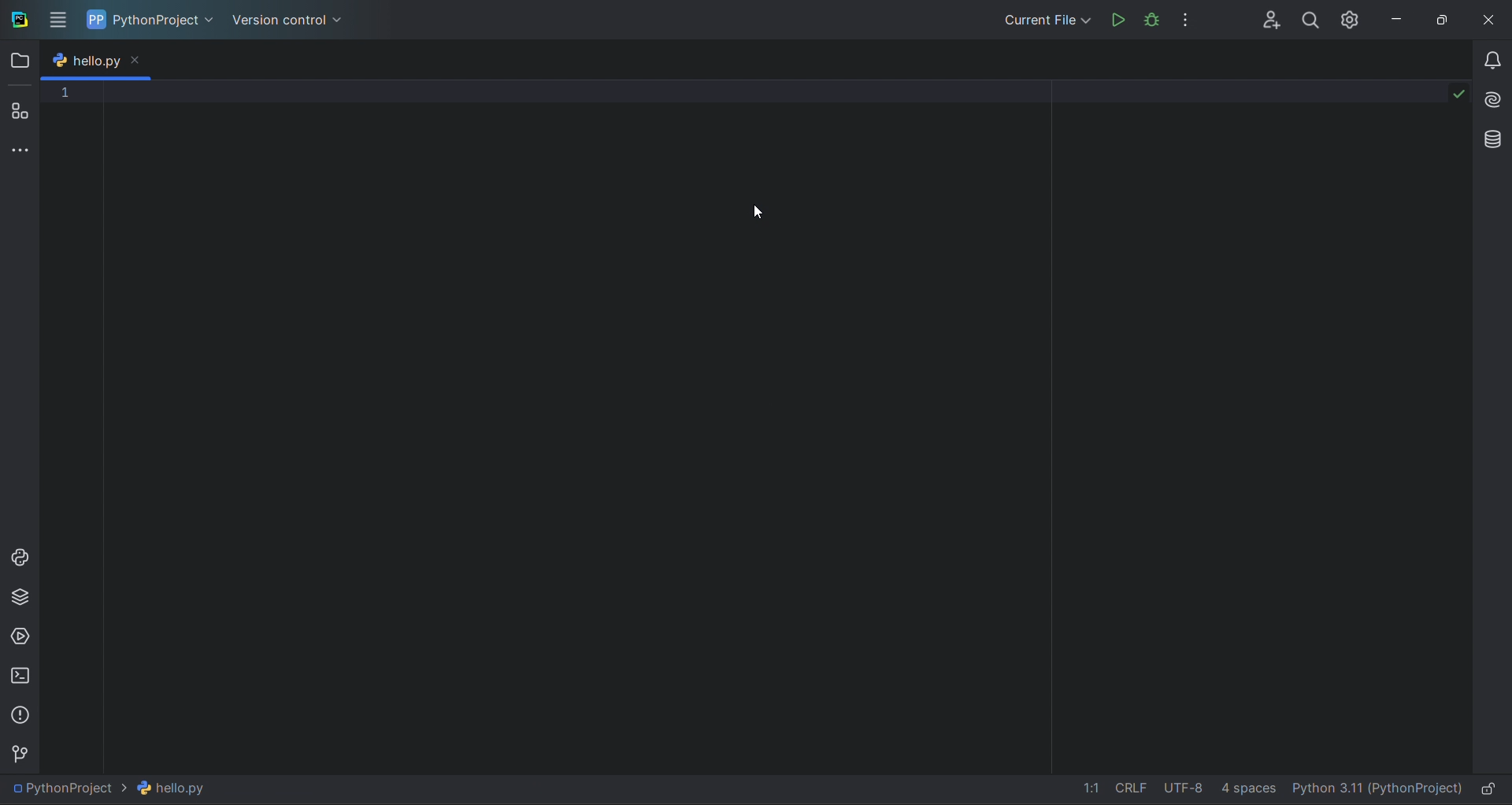 The height and width of the screenshot is (805, 1512). I want to click on python console, so click(19, 559).